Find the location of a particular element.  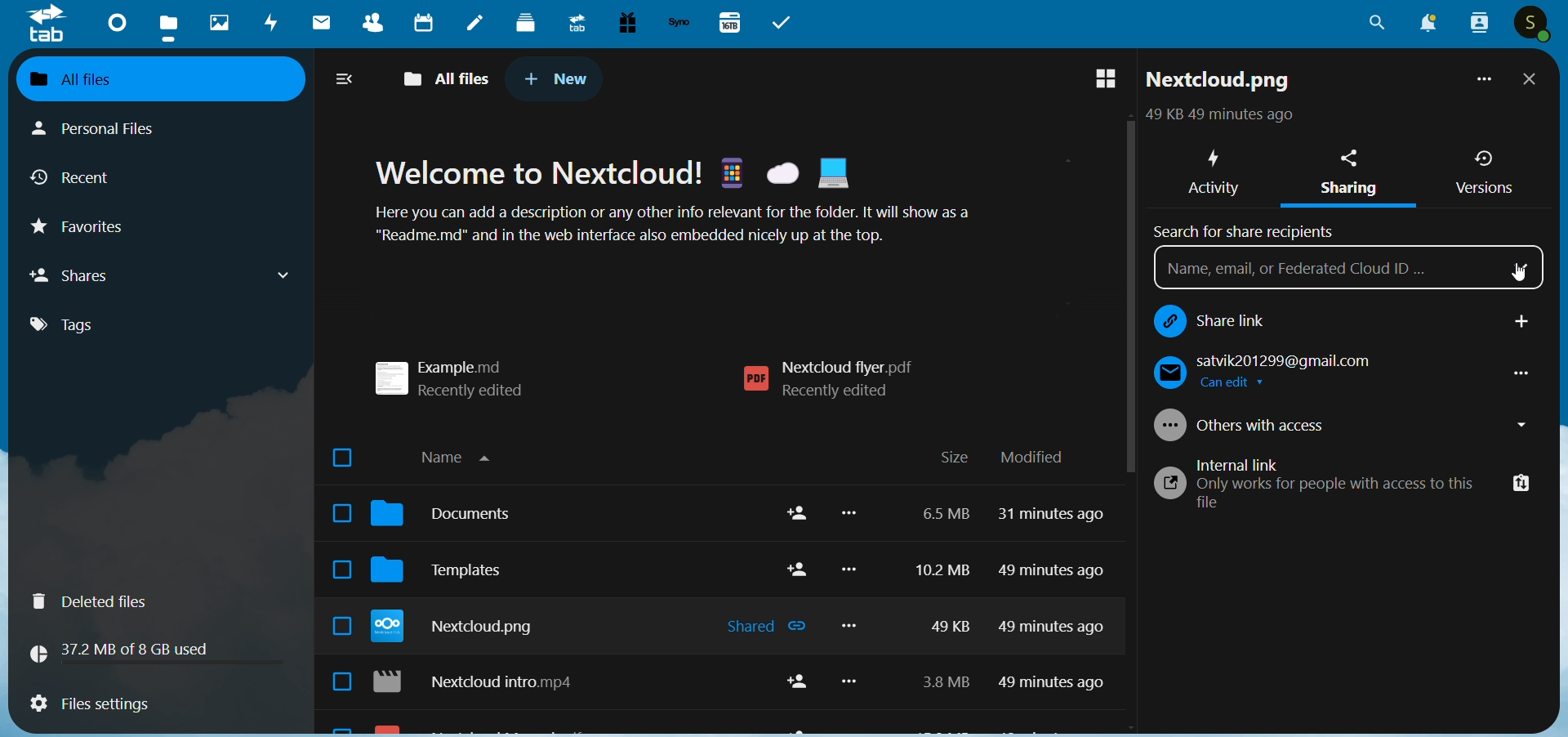

share is located at coordinates (796, 686).